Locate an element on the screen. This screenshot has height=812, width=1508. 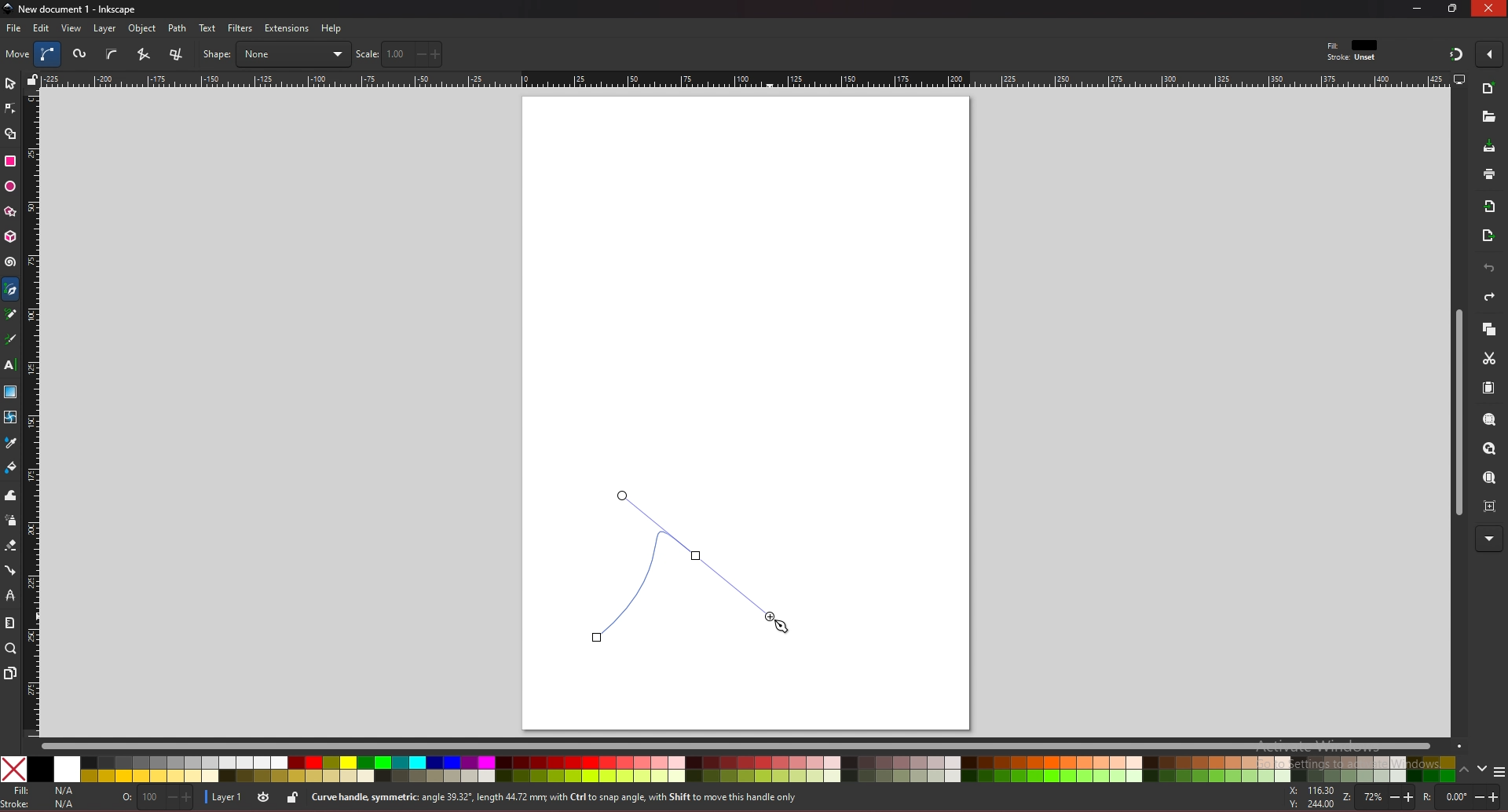
view is located at coordinates (72, 28).